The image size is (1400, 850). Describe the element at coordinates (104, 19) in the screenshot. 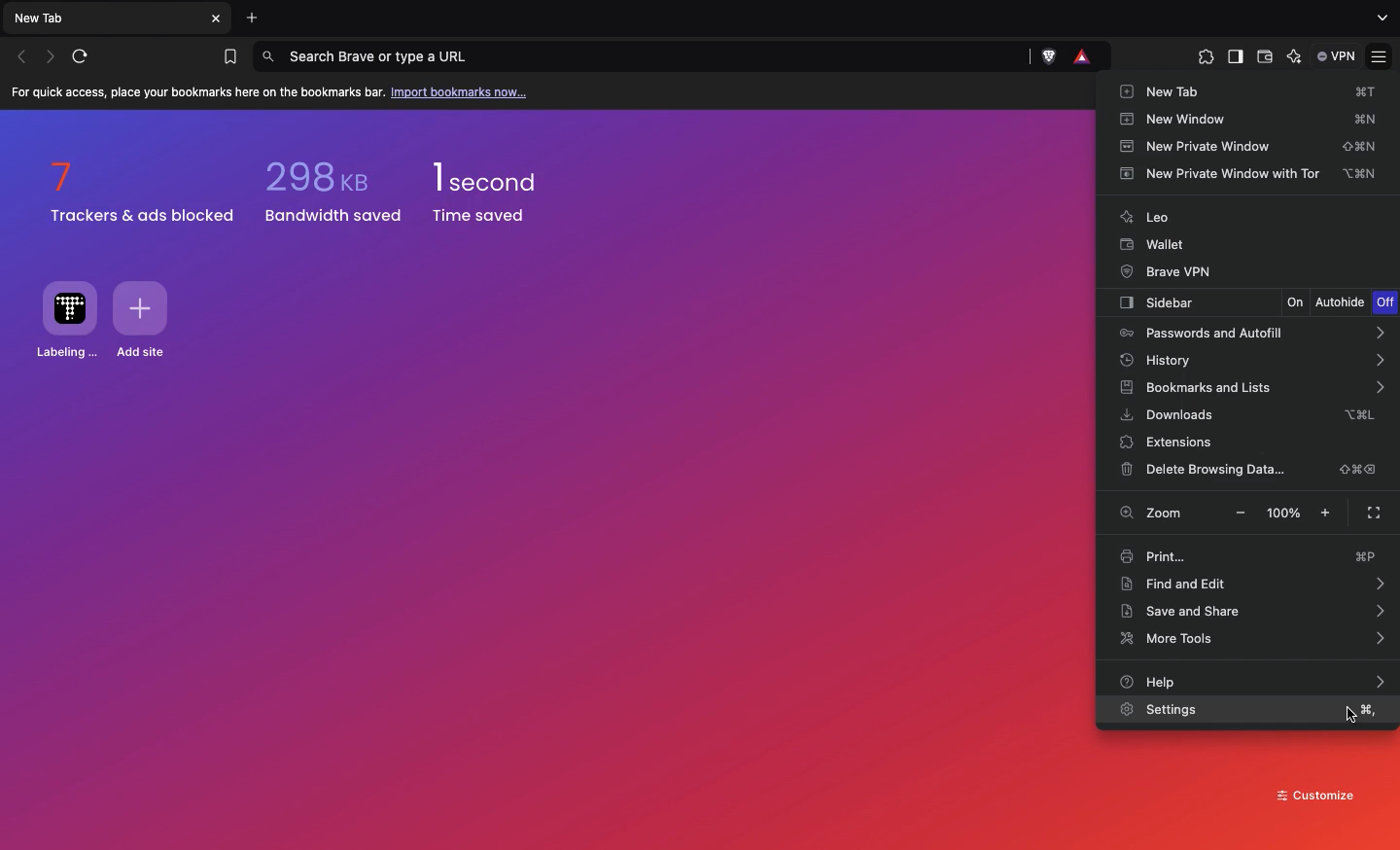

I see `New tab` at that location.